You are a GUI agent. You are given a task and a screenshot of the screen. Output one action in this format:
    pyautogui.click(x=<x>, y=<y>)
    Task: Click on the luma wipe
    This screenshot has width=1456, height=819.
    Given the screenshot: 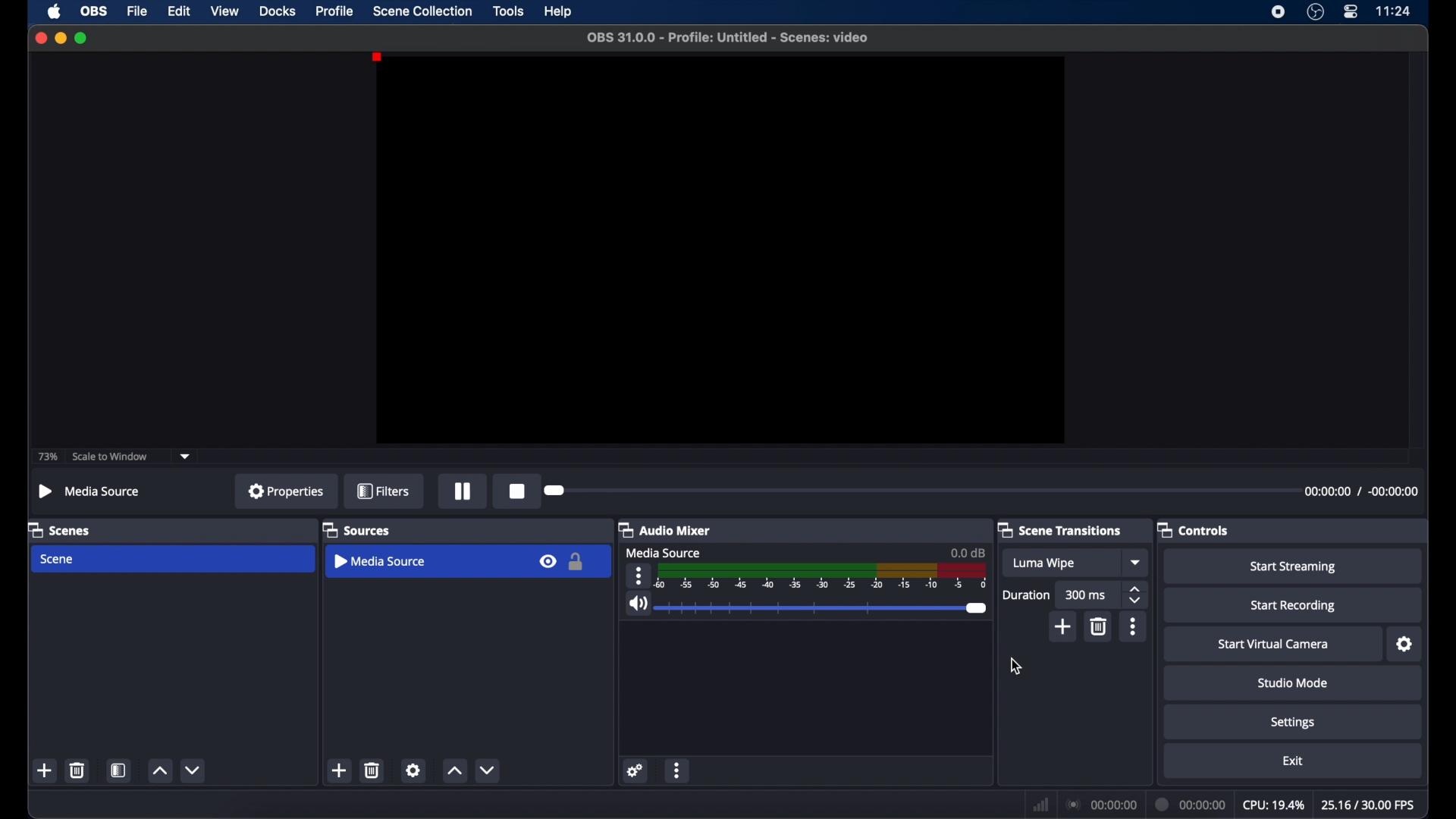 What is the action you would take?
    pyautogui.click(x=1043, y=564)
    